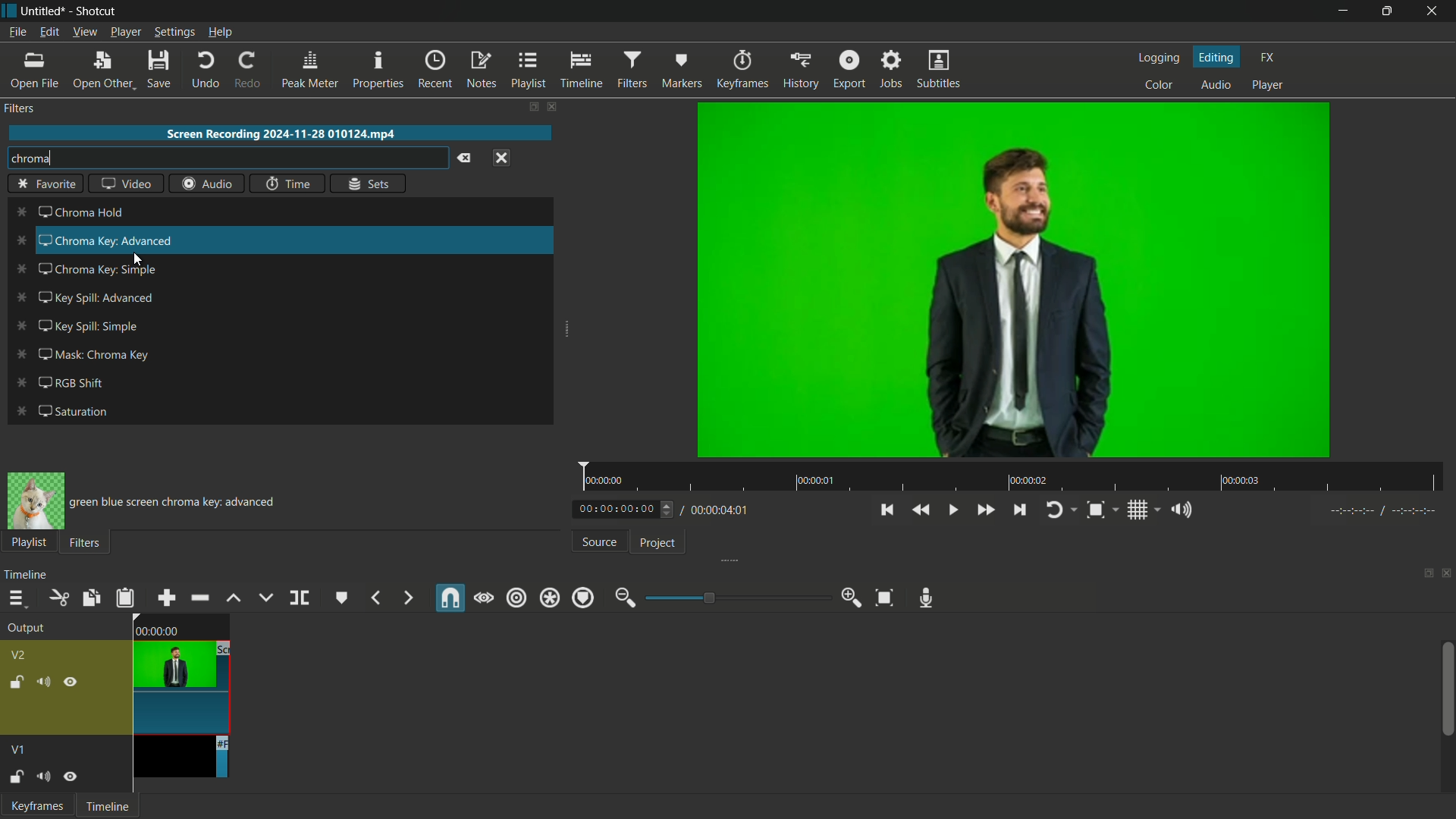  I want to click on lock, so click(16, 778).